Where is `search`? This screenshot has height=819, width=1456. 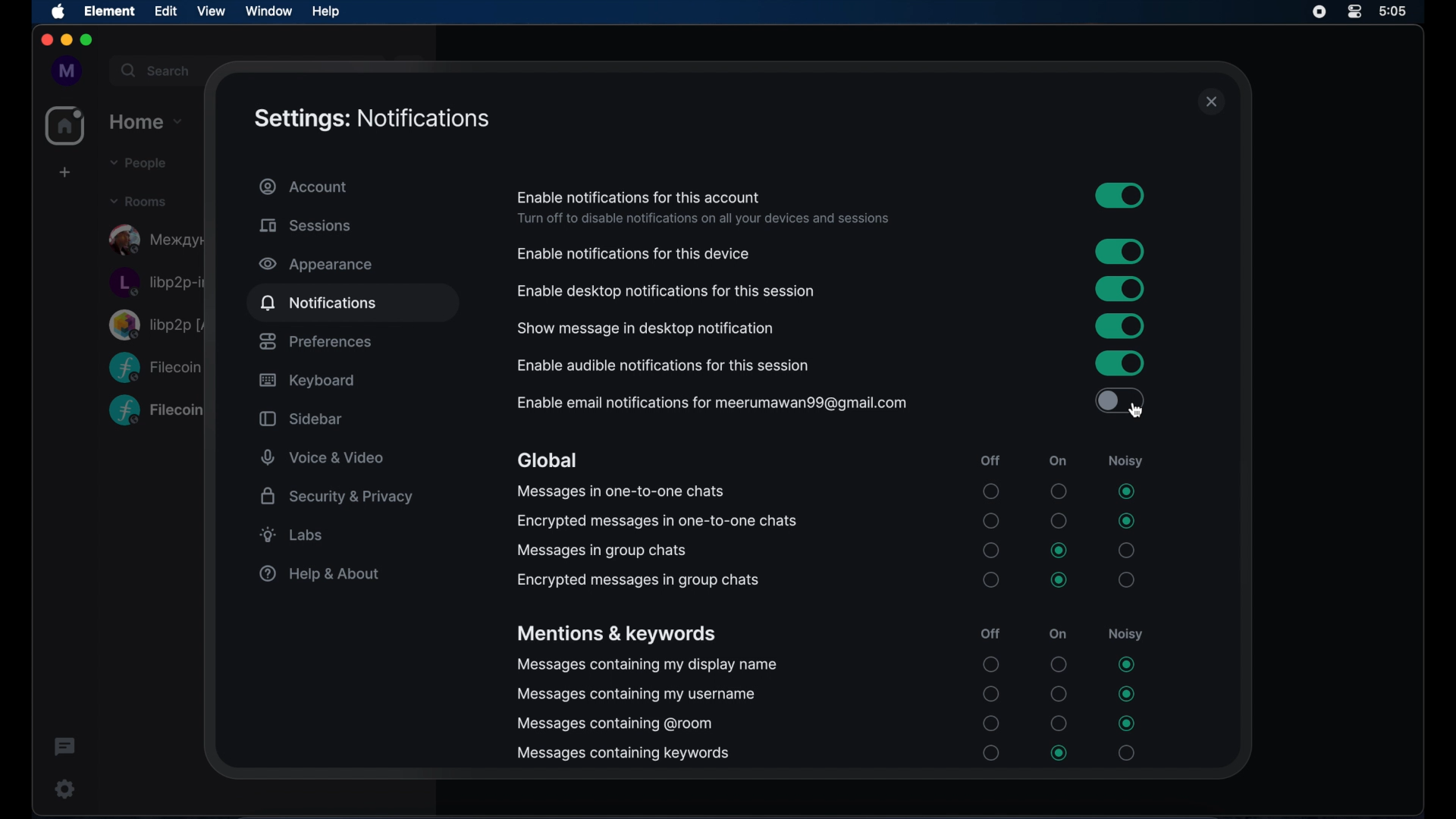 search is located at coordinates (154, 68).